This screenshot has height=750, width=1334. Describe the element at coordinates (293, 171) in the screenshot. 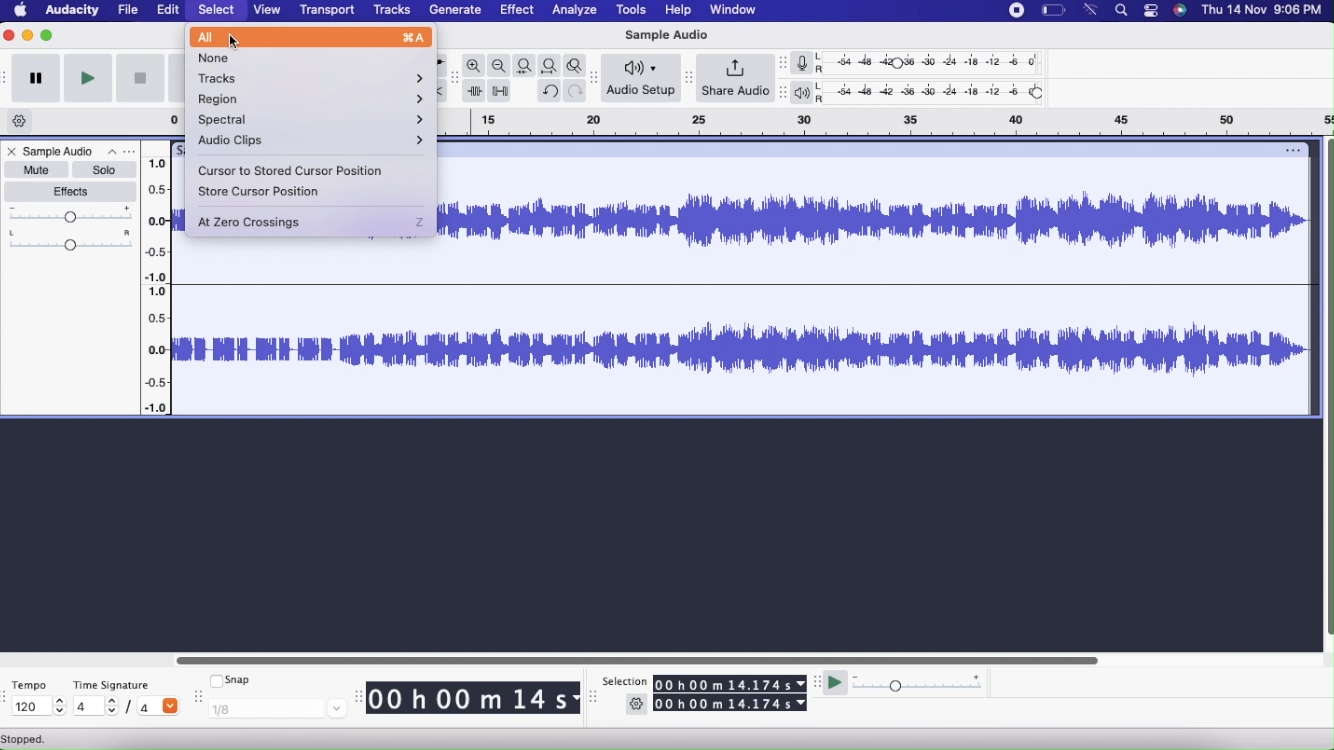

I see `Cursor to stored cursor position` at that location.